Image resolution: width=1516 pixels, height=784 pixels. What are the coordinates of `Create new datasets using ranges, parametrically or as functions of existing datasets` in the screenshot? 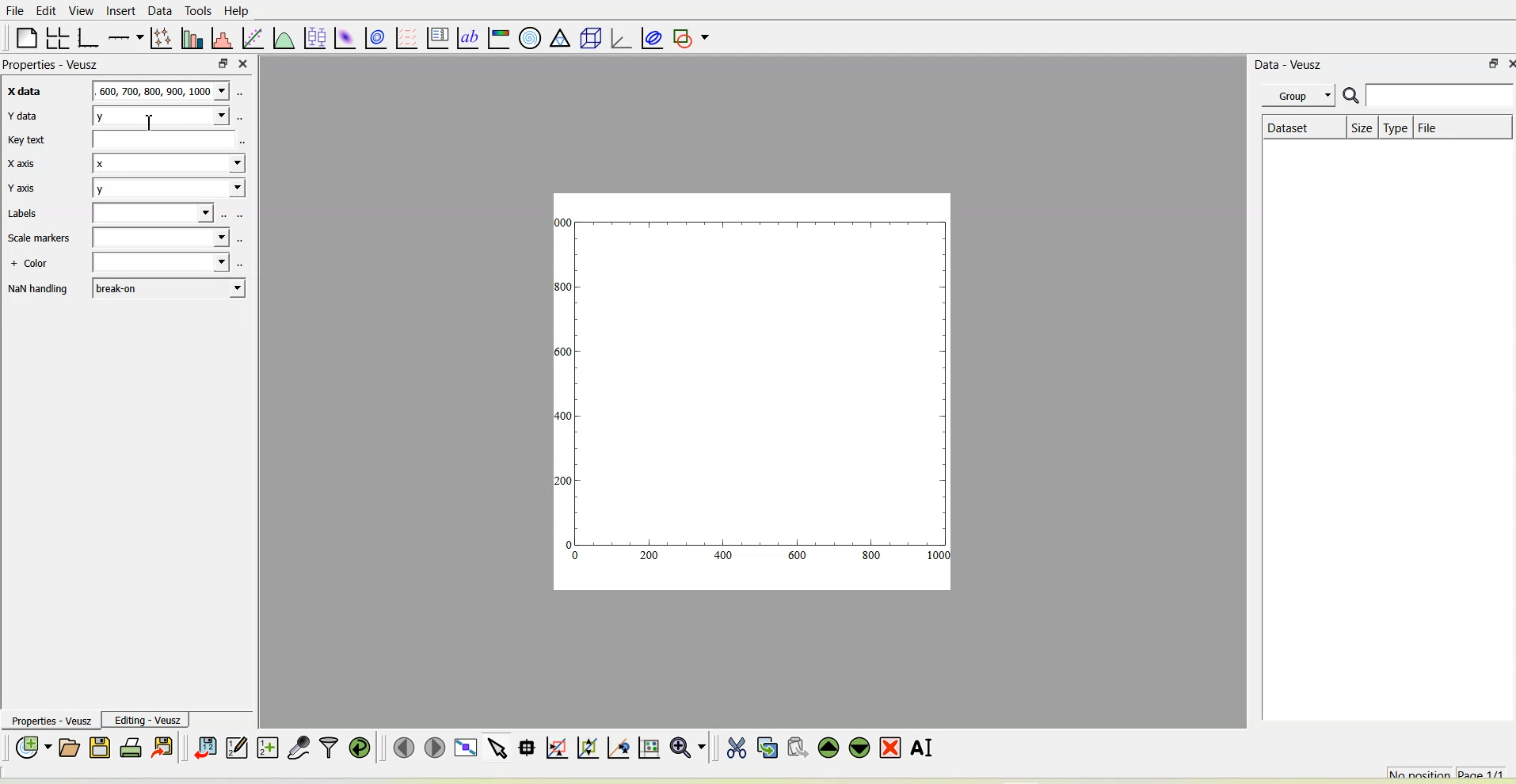 It's located at (268, 748).